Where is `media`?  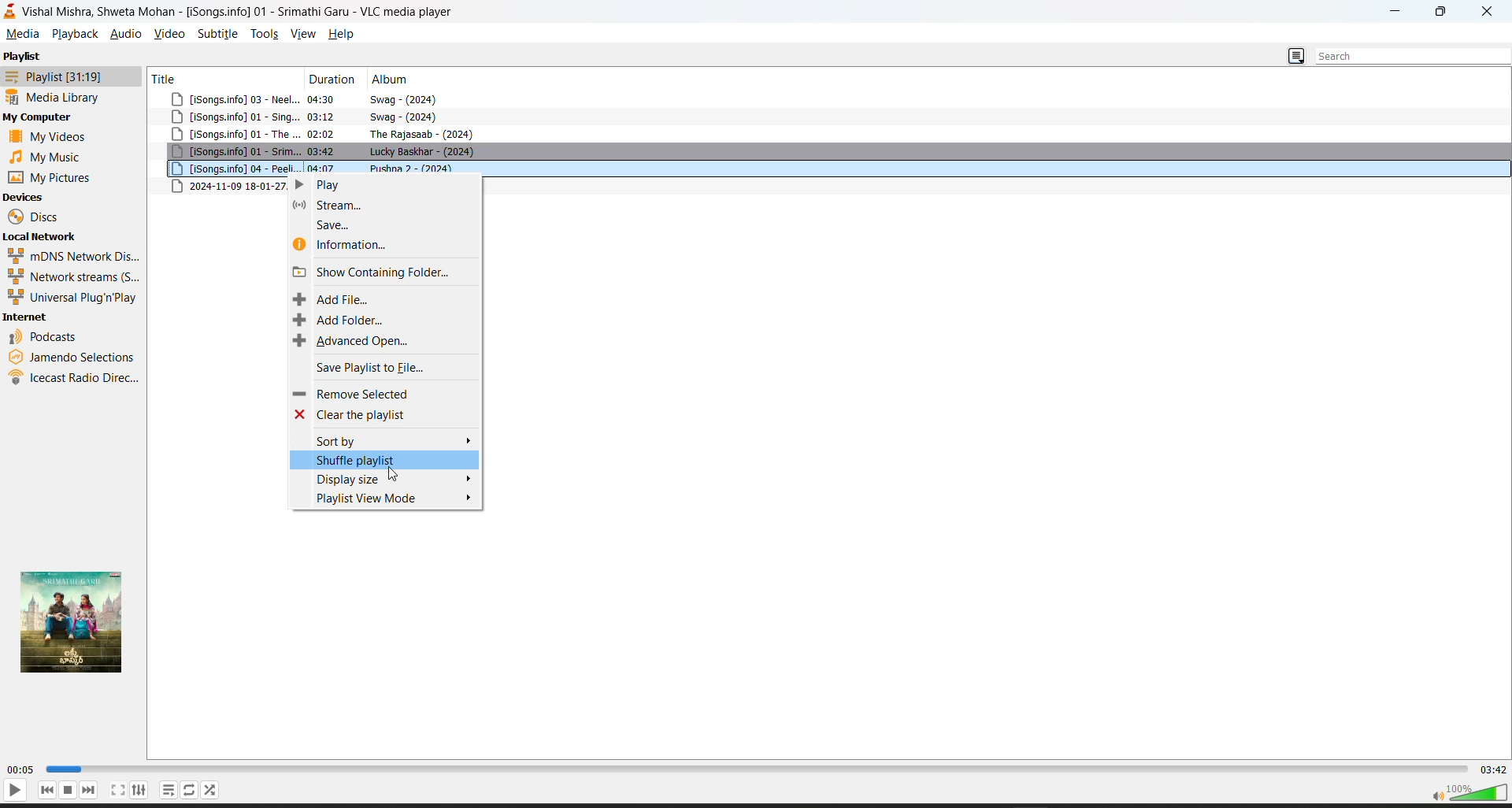
media is located at coordinates (22, 34).